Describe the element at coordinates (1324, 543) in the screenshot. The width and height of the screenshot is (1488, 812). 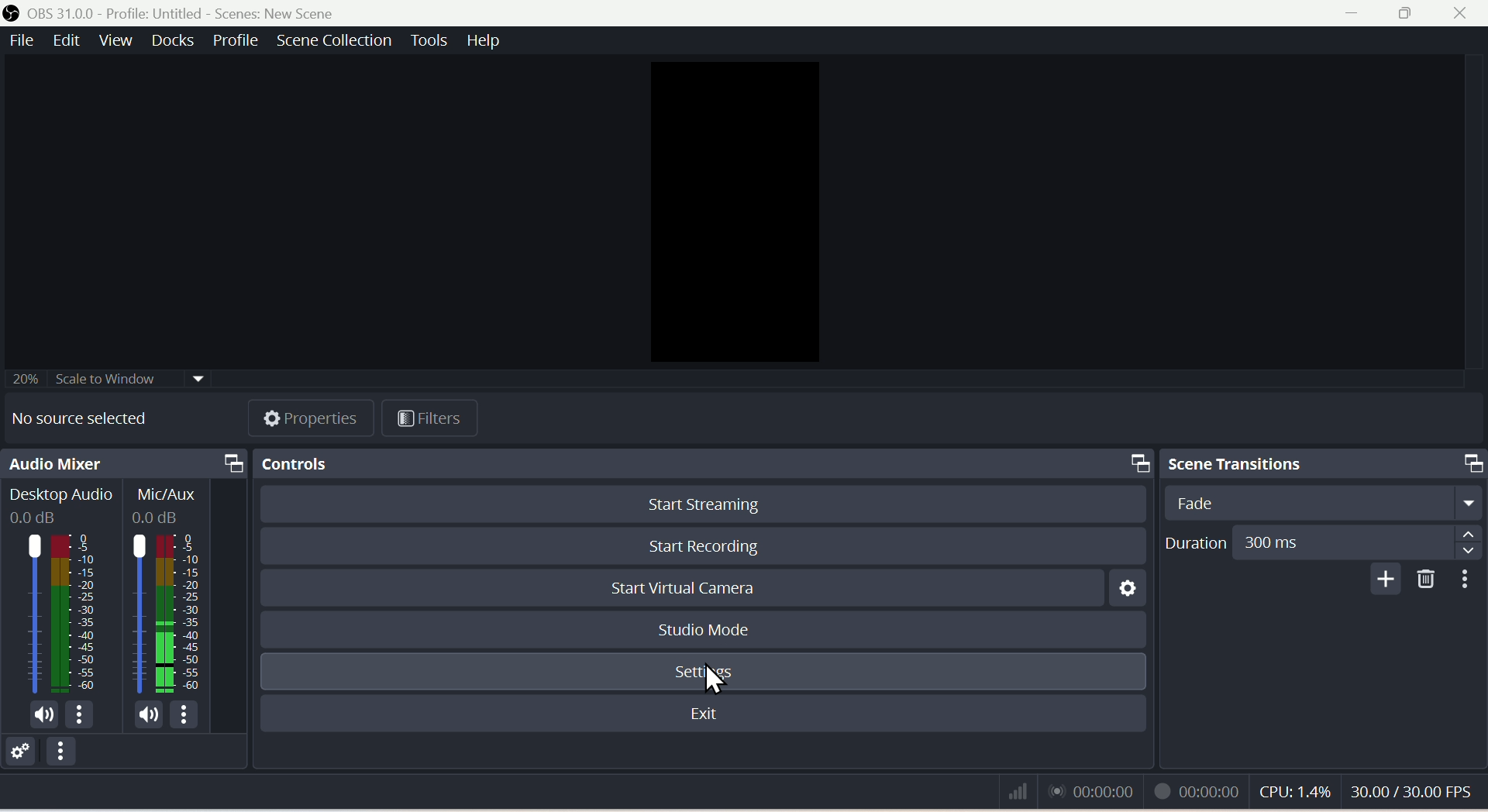
I see `Duration` at that location.